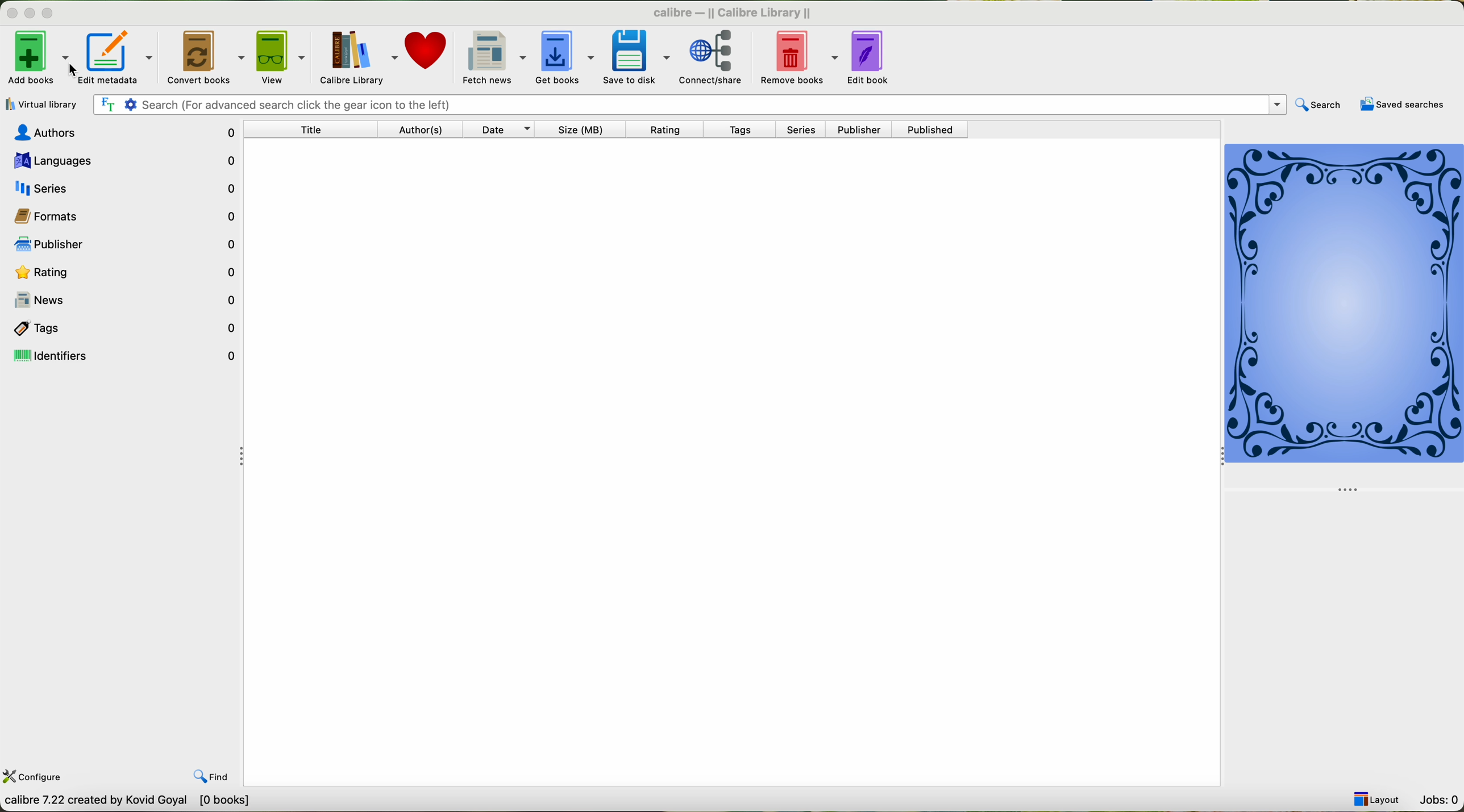 The image size is (1464, 812). Describe the element at coordinates (125, 355) in the screenshot. I see `identifiers` at that location.